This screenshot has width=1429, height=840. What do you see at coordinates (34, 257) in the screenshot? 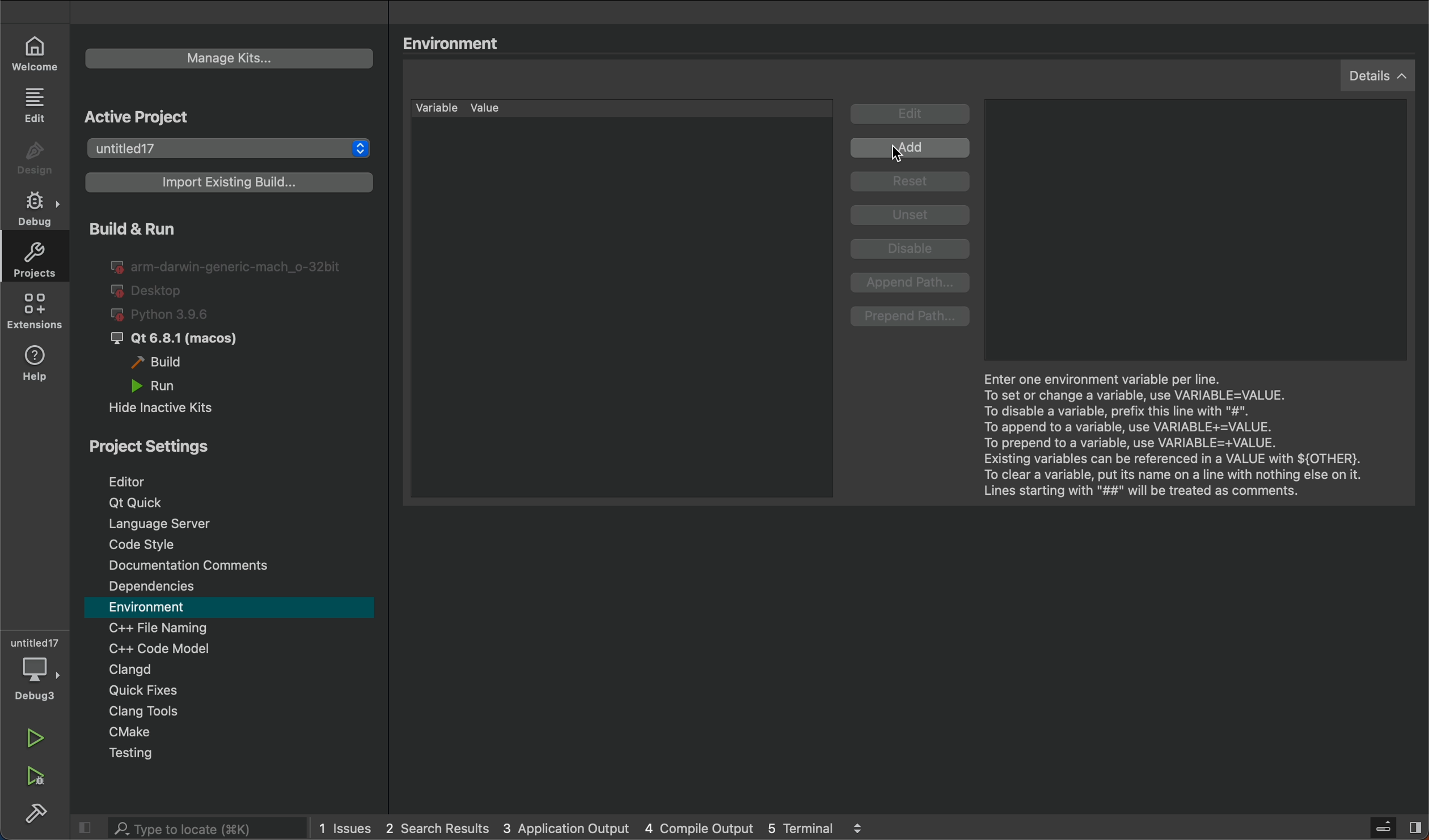
I see `projects` at bounding box center [34, 257].